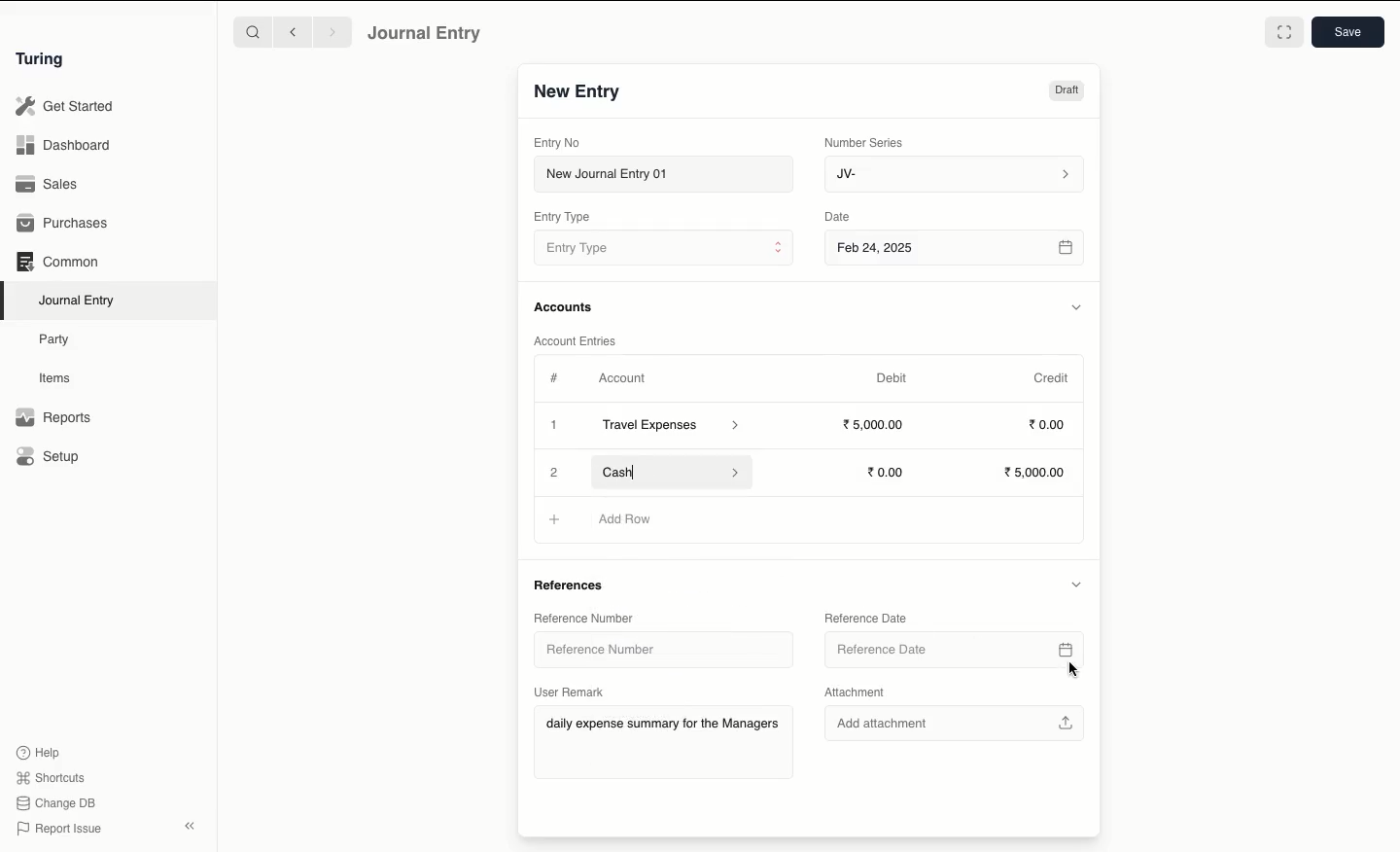  What do you see at coordinates (956, 175) in the screenshot?
I see `JV-` at bounding box center [956, 175].